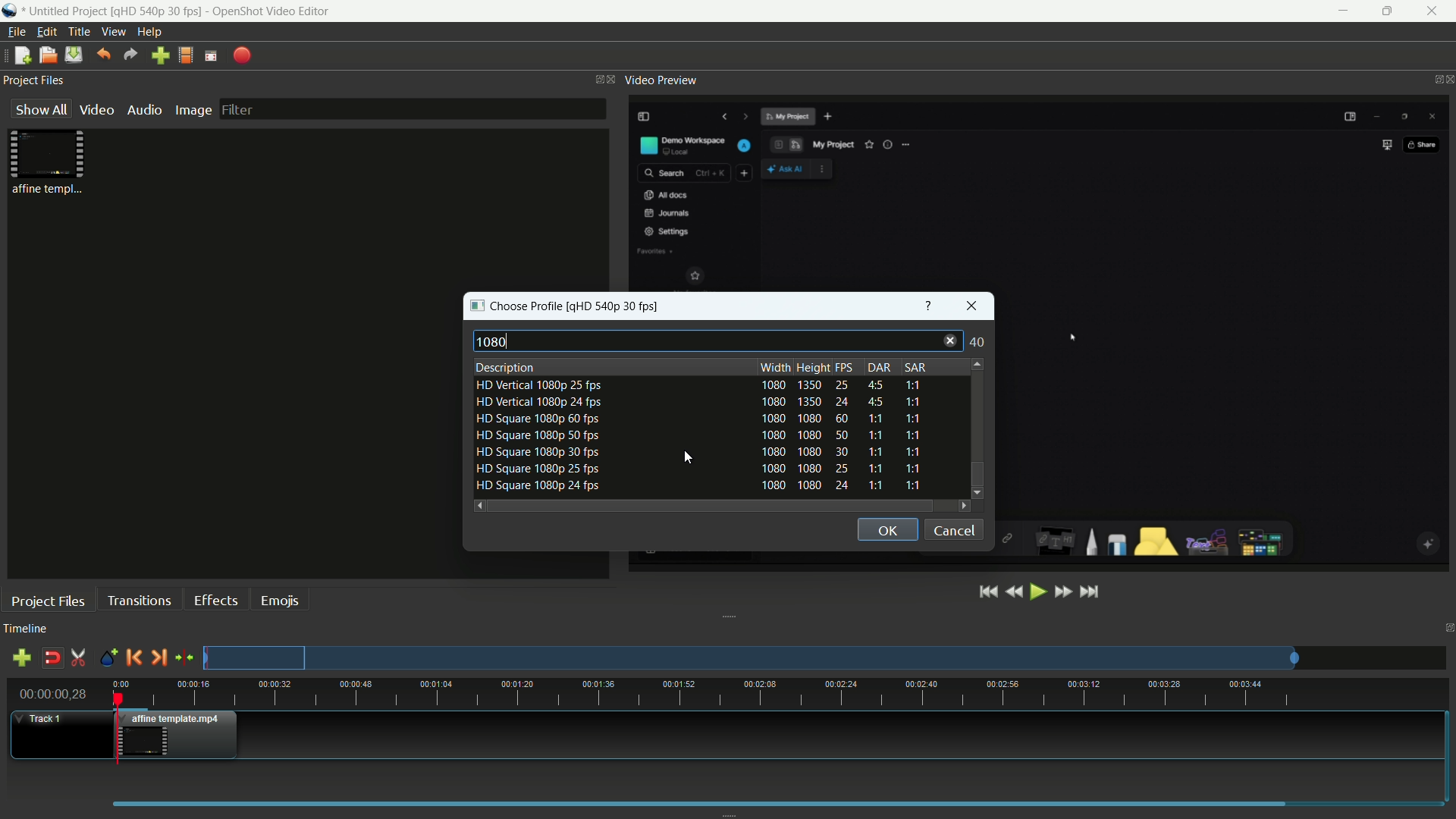 This screenshot has width=1456, height=819. I want to click on create marker, so click(108, 659).